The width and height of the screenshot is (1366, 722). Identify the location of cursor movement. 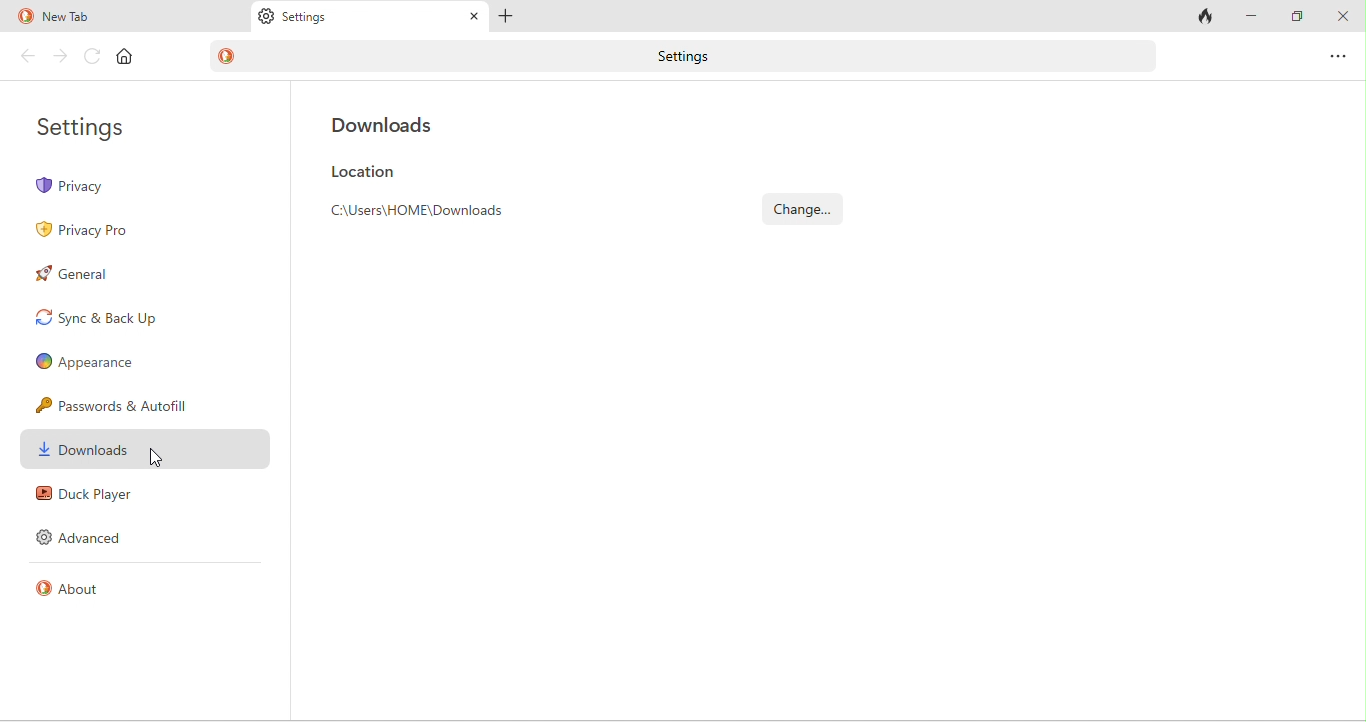
(165, 454).